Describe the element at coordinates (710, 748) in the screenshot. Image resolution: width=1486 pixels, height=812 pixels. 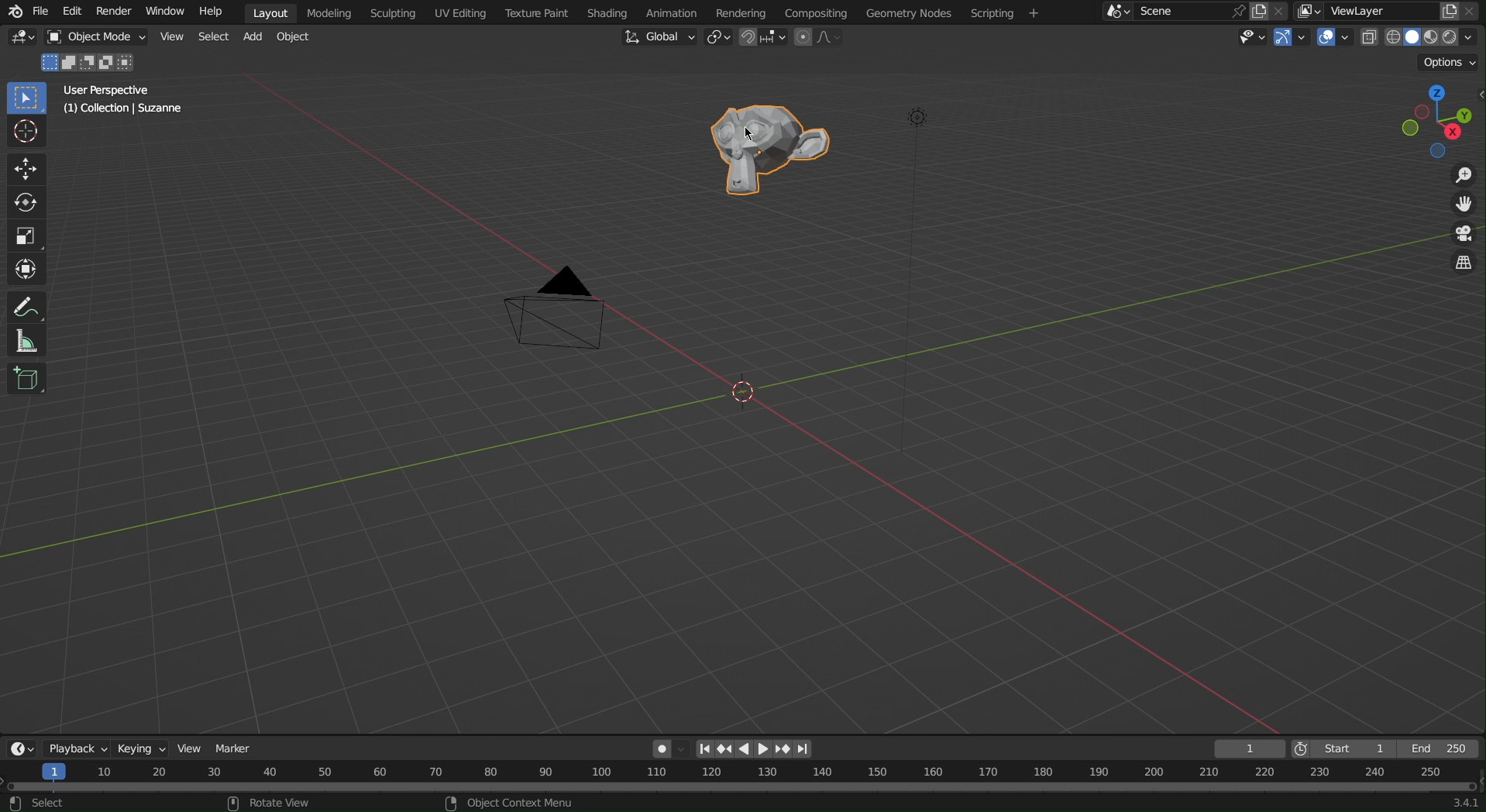
I see `first` at that location.